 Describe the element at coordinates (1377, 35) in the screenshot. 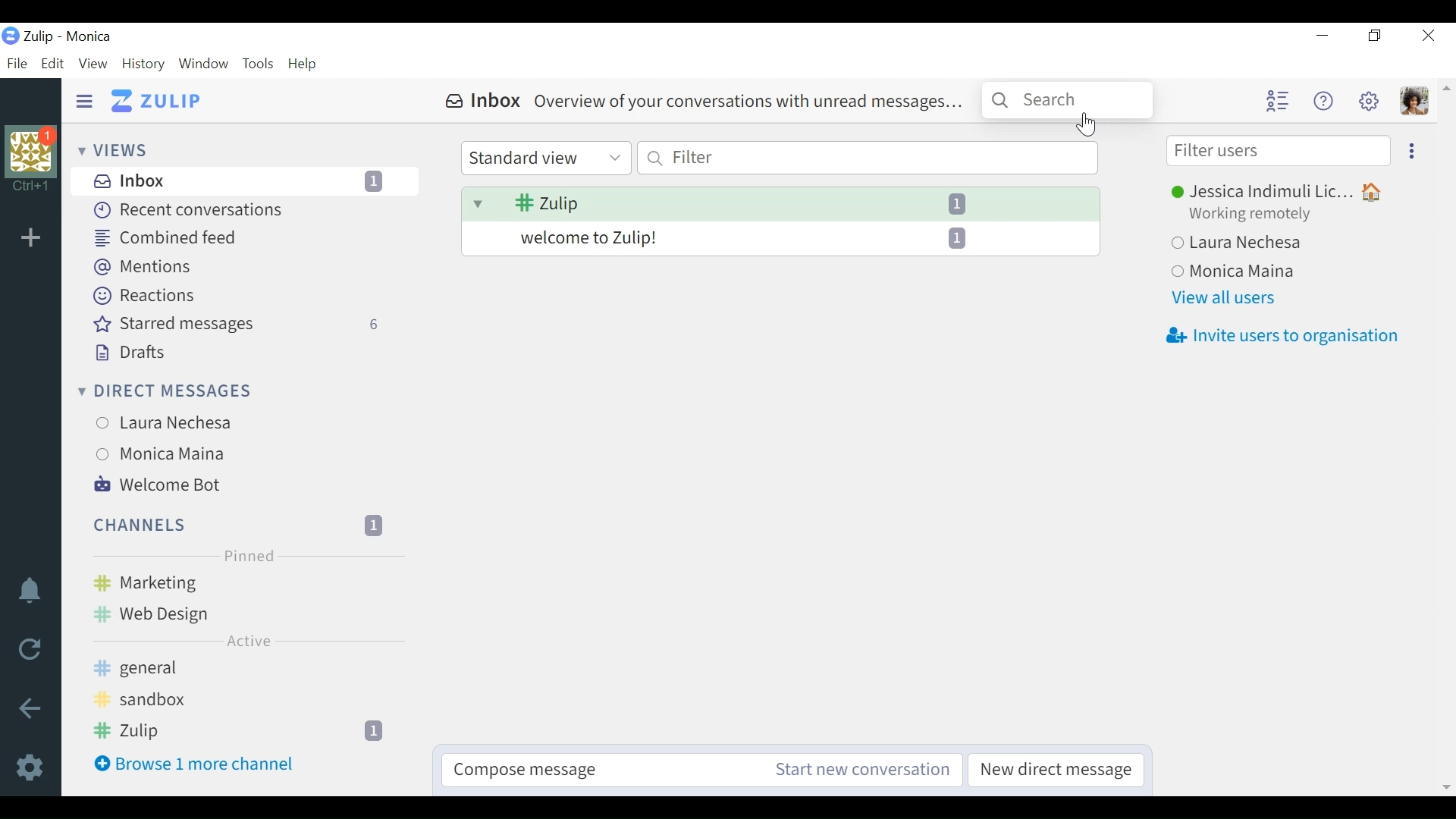

I see `Restore` at that location.